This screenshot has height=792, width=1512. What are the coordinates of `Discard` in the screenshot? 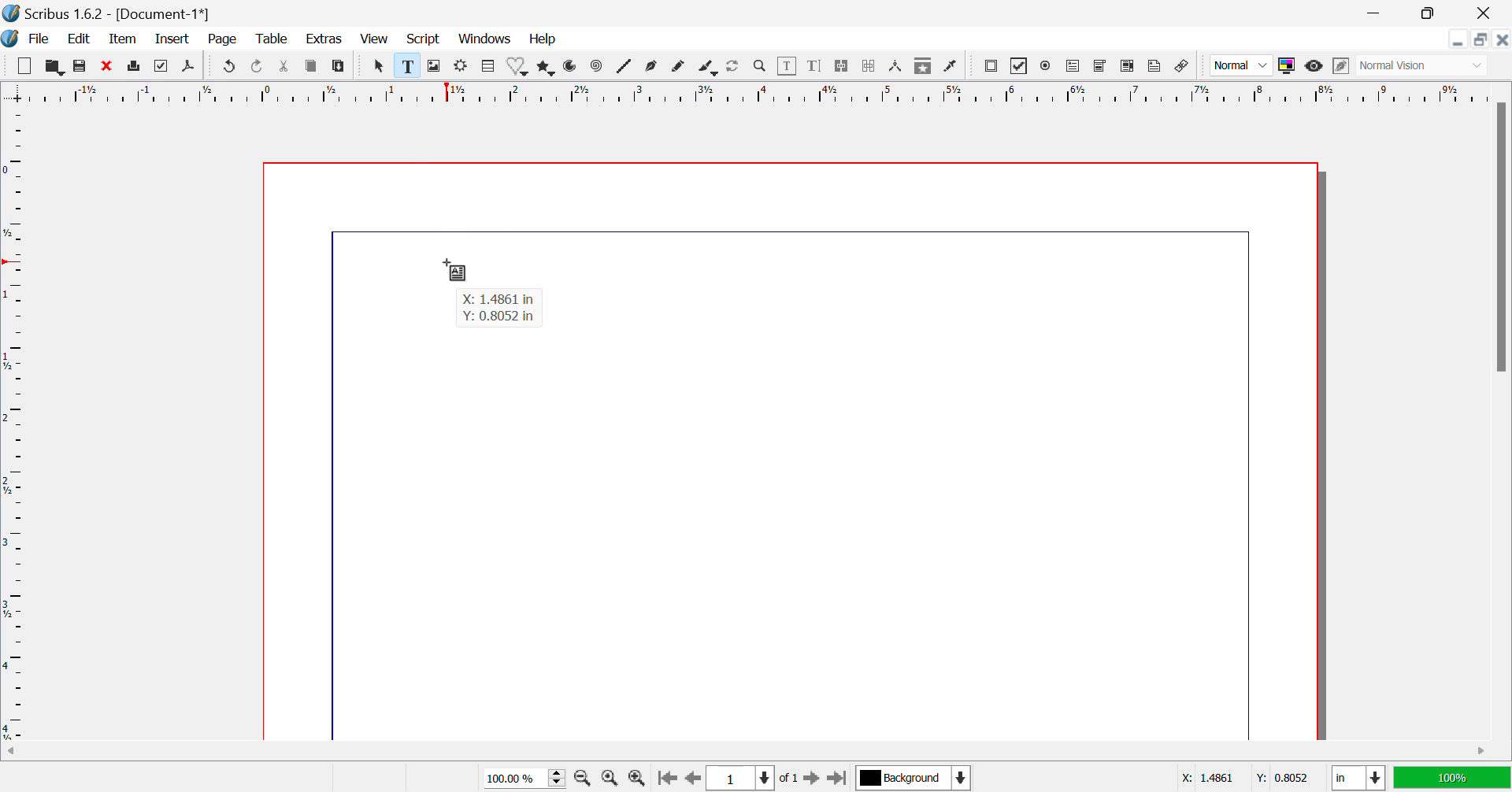 It's located at (107, 66).